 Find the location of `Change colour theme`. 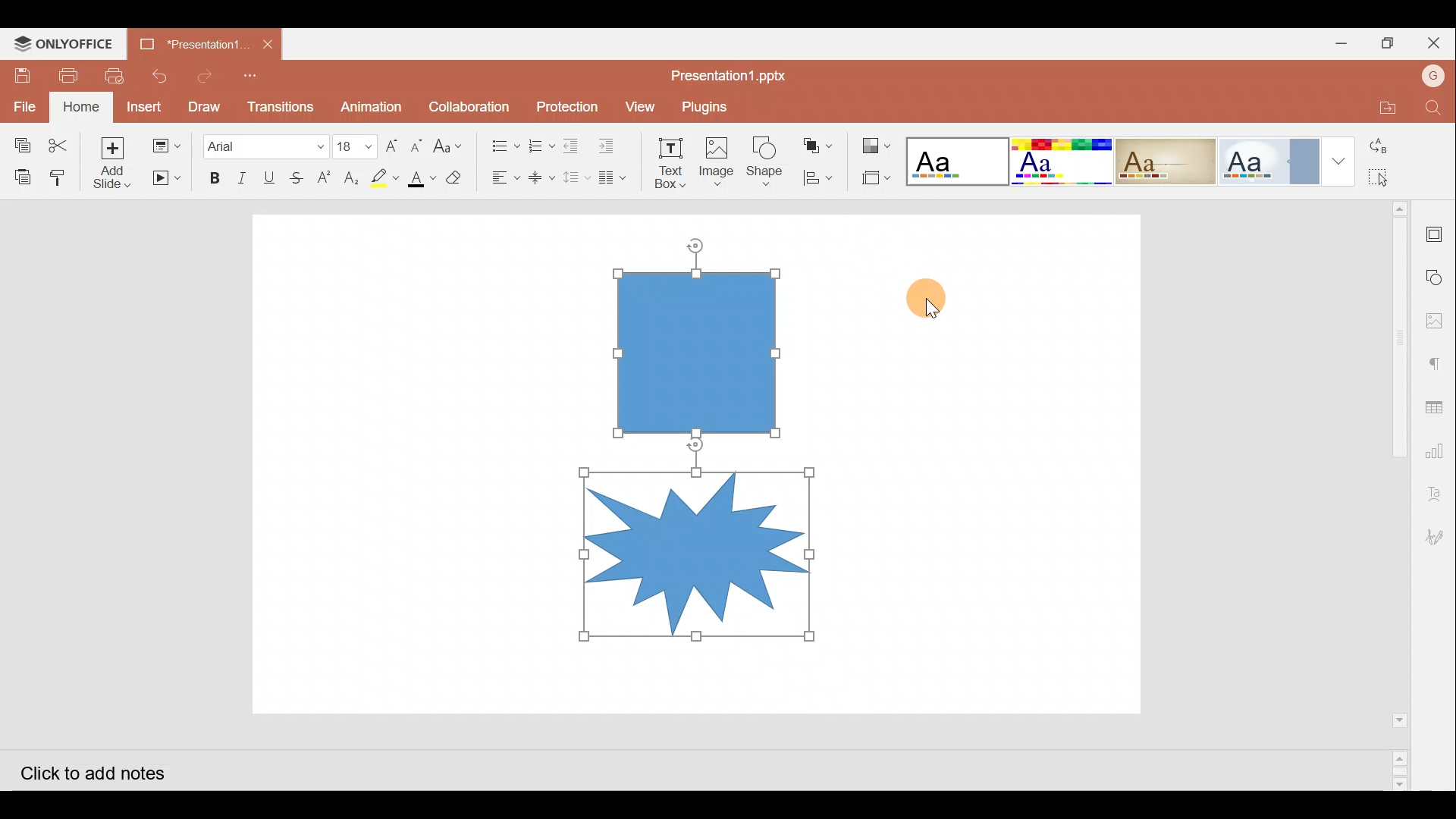

Change colour theme is located at coordinates (878, 142).